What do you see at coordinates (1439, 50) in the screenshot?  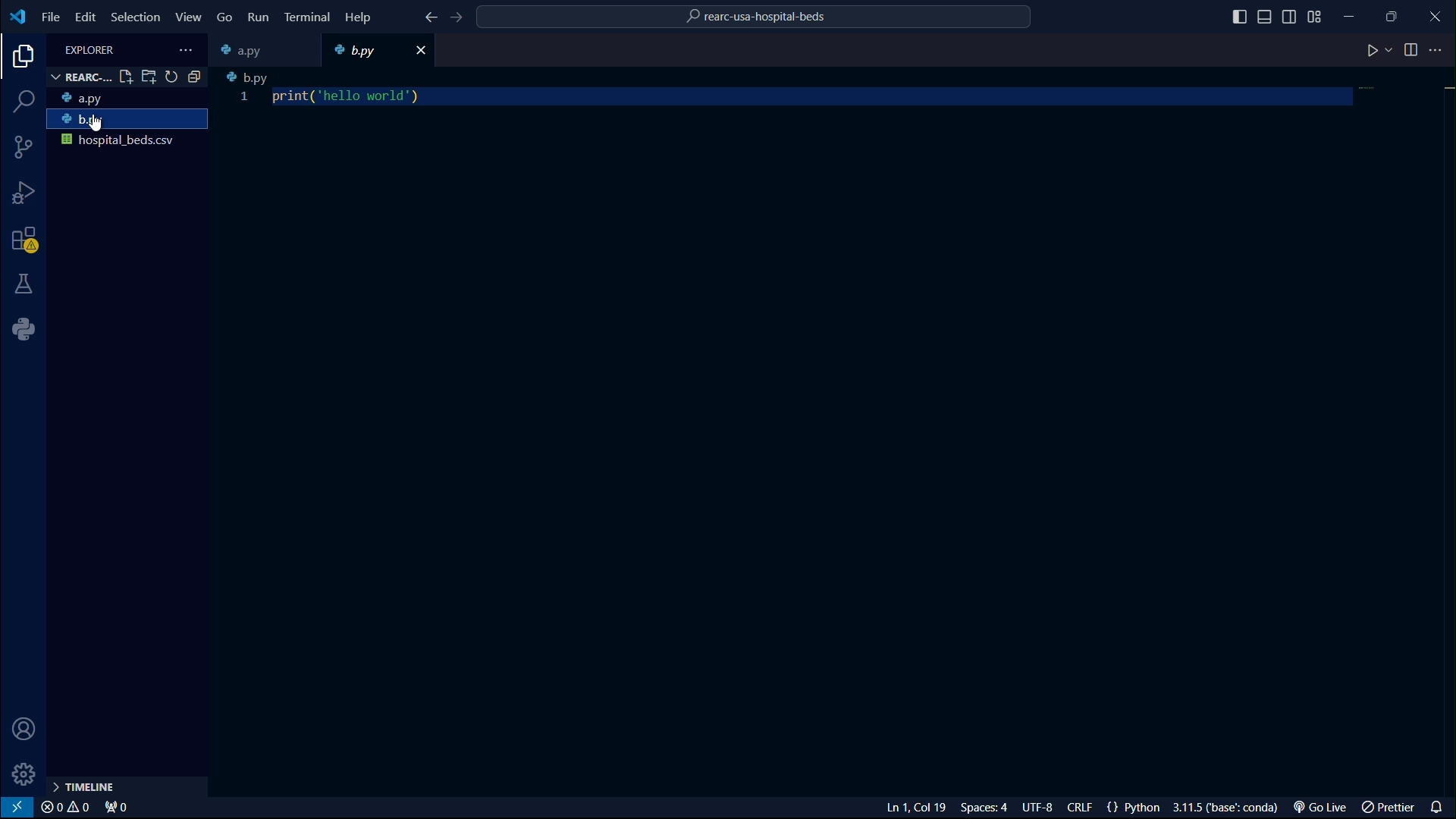 I see `more actions` at bounding box center [1439, 50].